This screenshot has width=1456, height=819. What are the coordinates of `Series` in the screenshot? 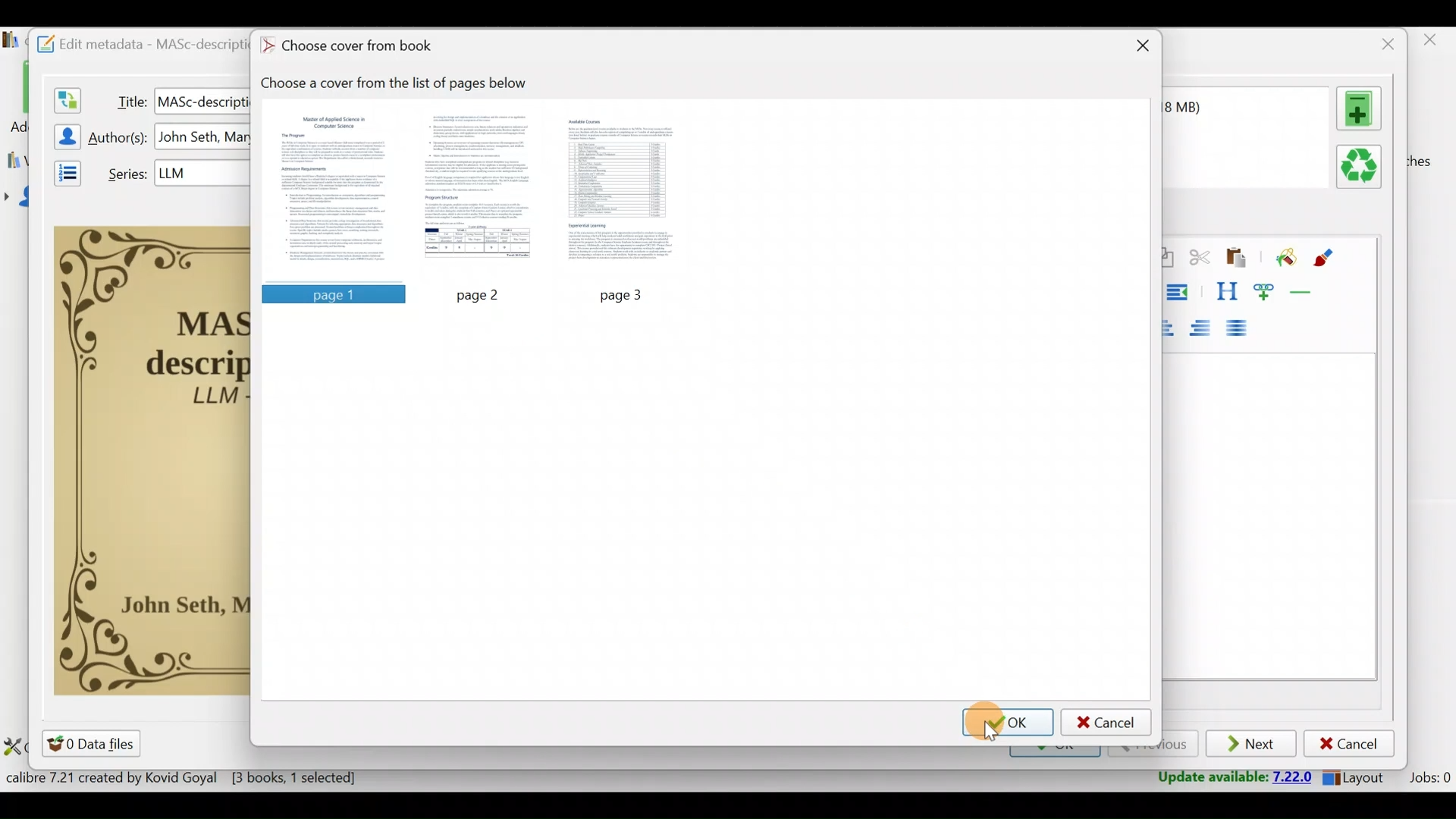 It's located at (124, 172).